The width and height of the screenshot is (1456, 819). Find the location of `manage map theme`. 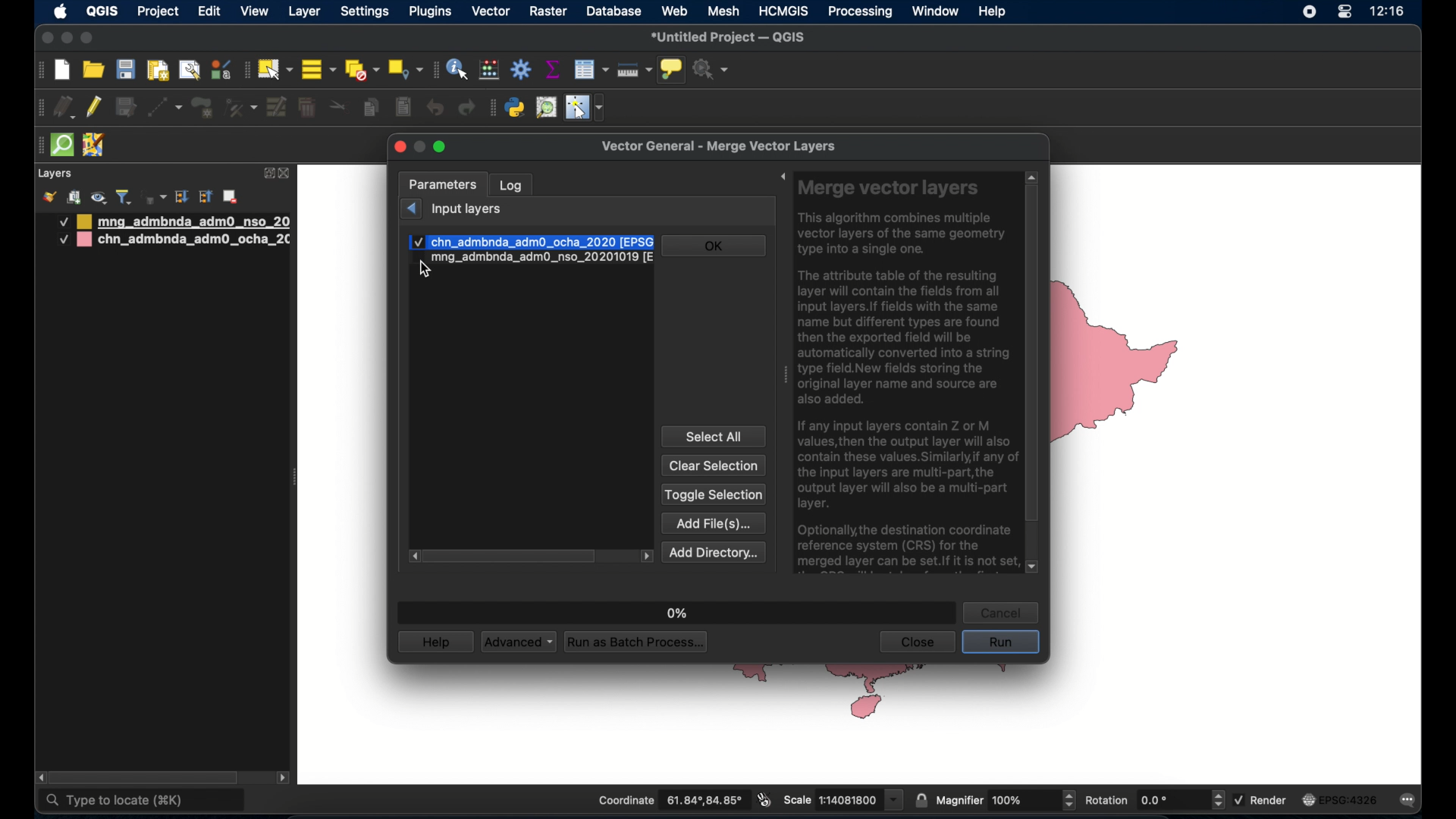

manage map theme is located at coordinates (98, 198).